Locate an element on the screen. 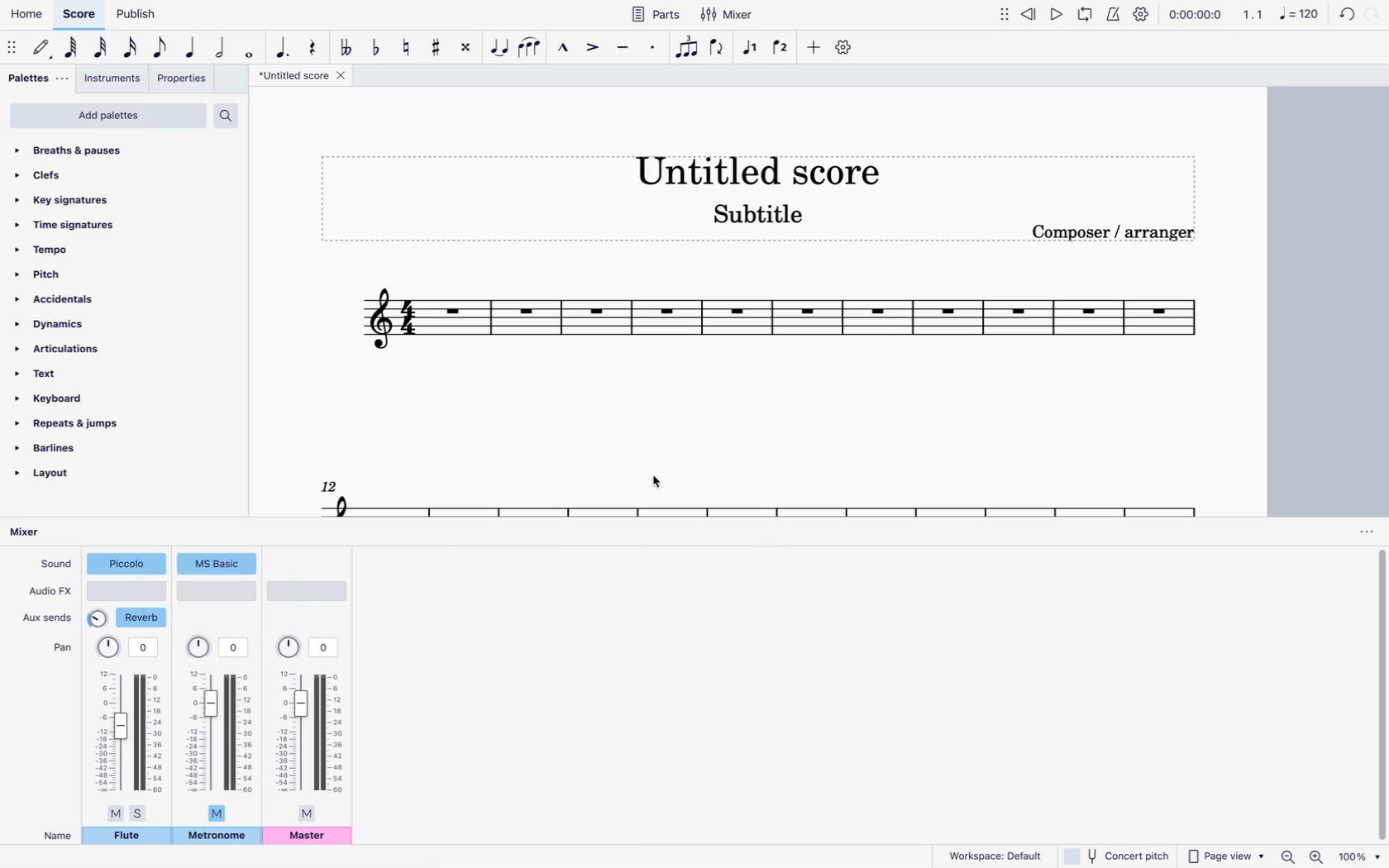 The image size is (1389, 868). metronome is located at coordinates (1112, 13).